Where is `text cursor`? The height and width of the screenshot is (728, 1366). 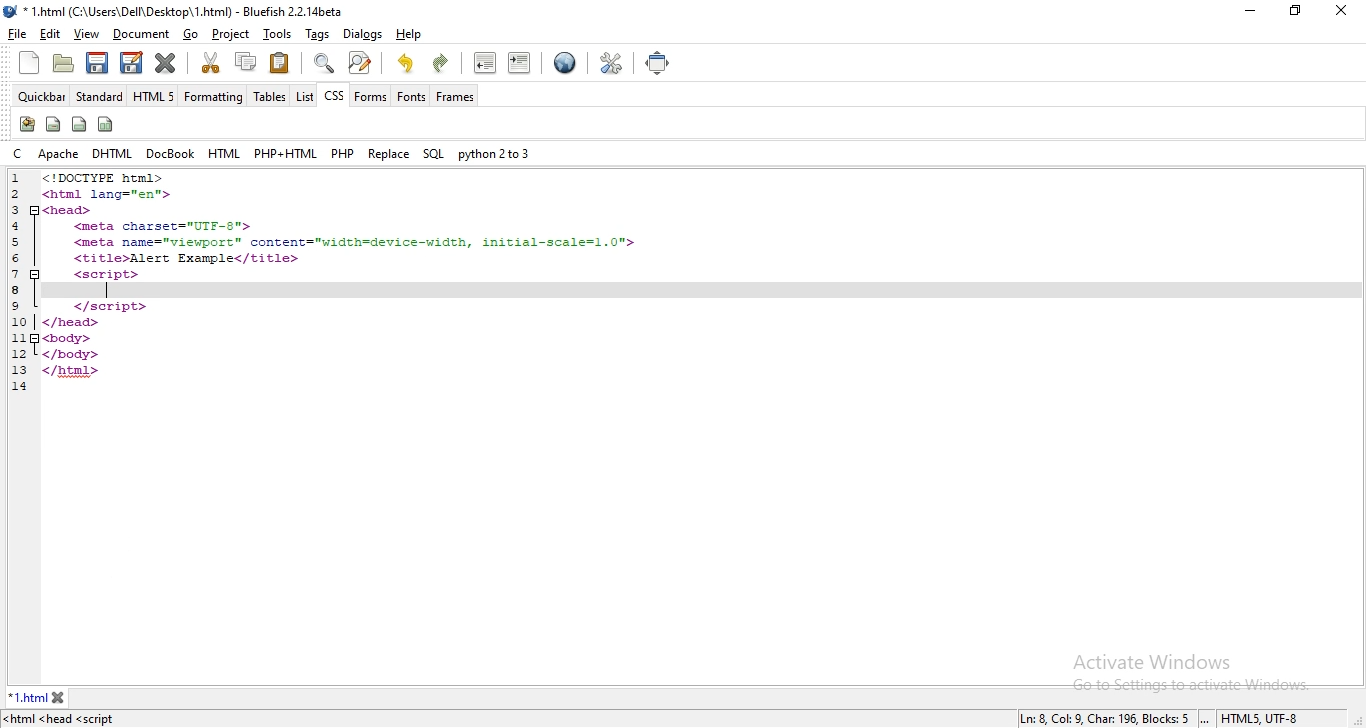
text cursor is located at coordinates (109, 291).